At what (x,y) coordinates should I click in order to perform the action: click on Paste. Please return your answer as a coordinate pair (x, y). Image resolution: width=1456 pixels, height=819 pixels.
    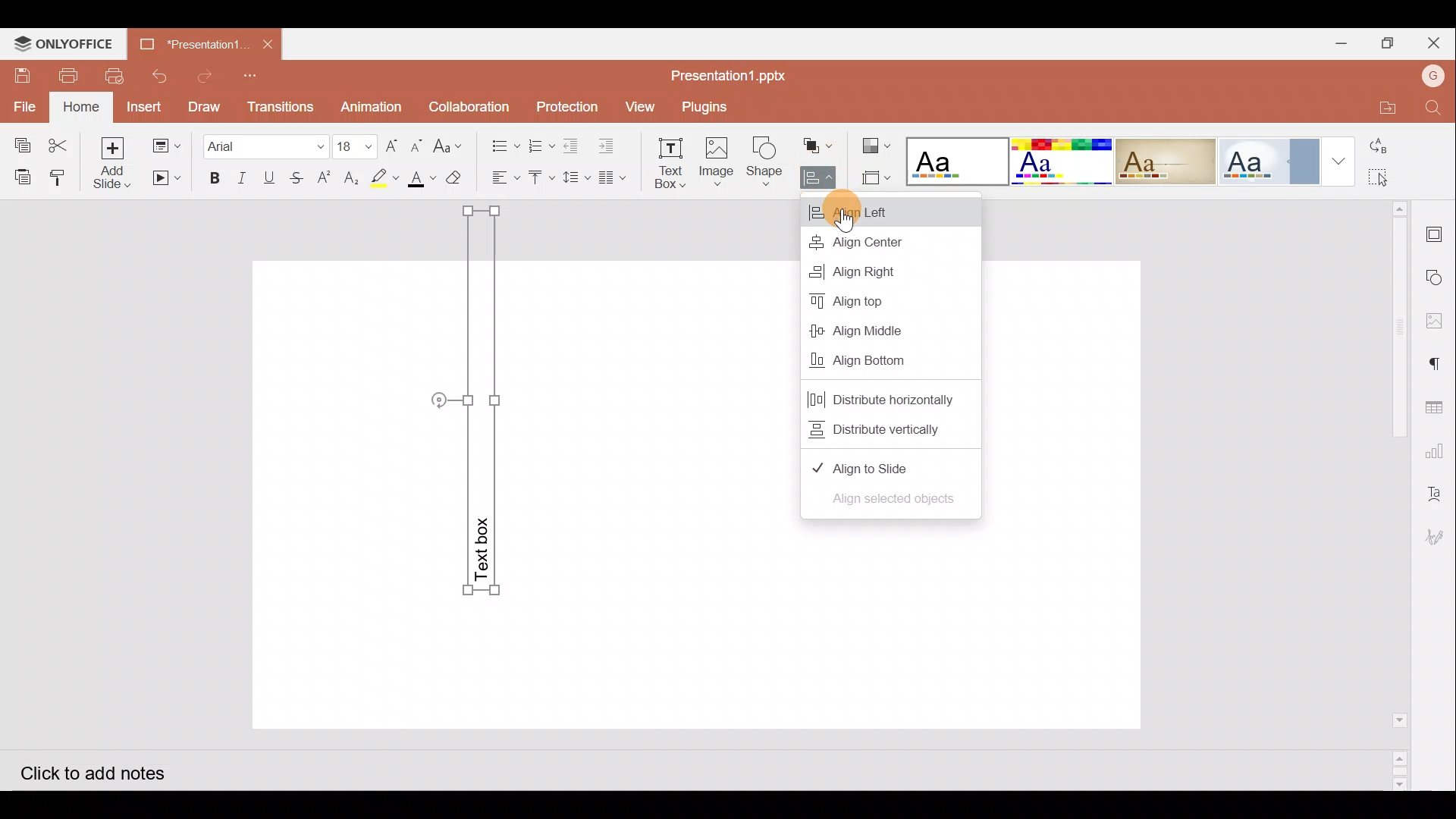
    Looking at the image, I should click on (20, 175).